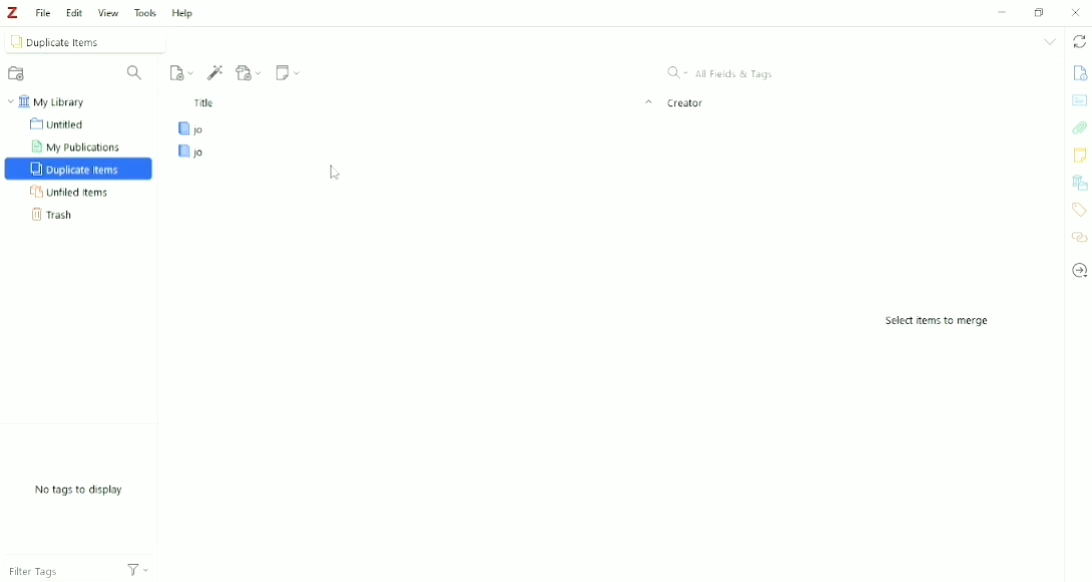 The width and height of the screenshot is (1092, 582). I want to click on Creator, so click(686, 103).